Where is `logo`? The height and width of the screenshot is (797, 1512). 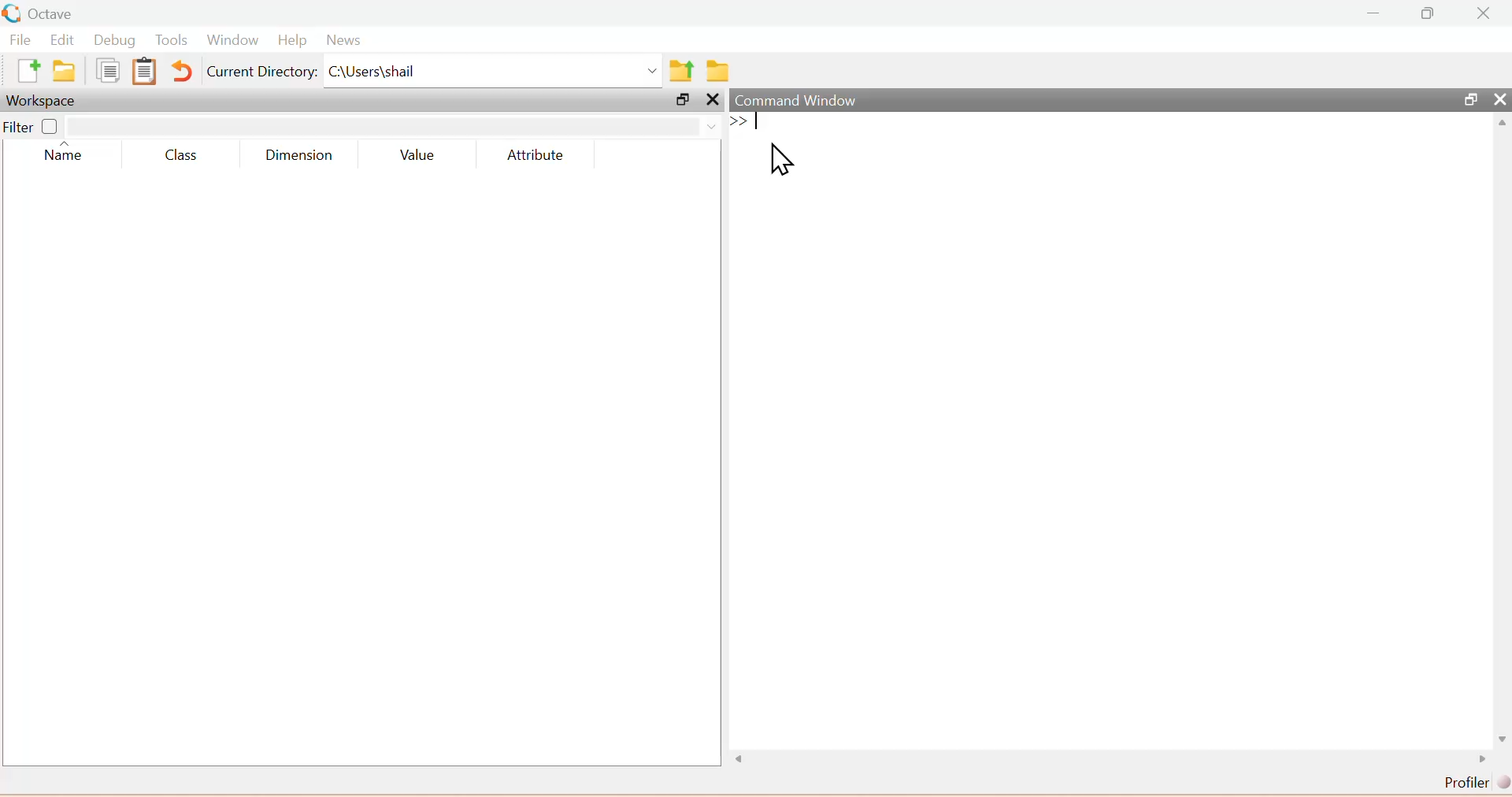
logo is located at coordinates (13, 13).